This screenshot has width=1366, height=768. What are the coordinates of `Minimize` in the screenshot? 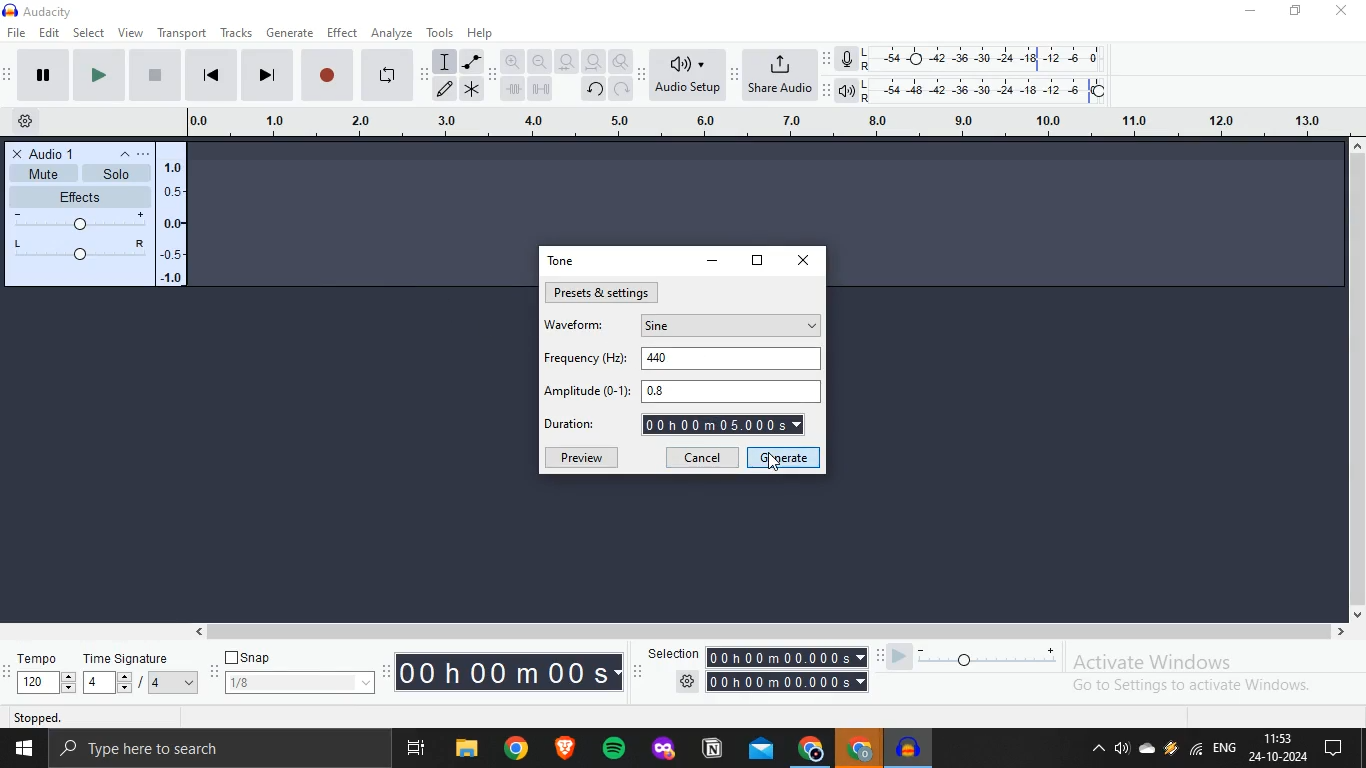 It's located at (1255, 12).